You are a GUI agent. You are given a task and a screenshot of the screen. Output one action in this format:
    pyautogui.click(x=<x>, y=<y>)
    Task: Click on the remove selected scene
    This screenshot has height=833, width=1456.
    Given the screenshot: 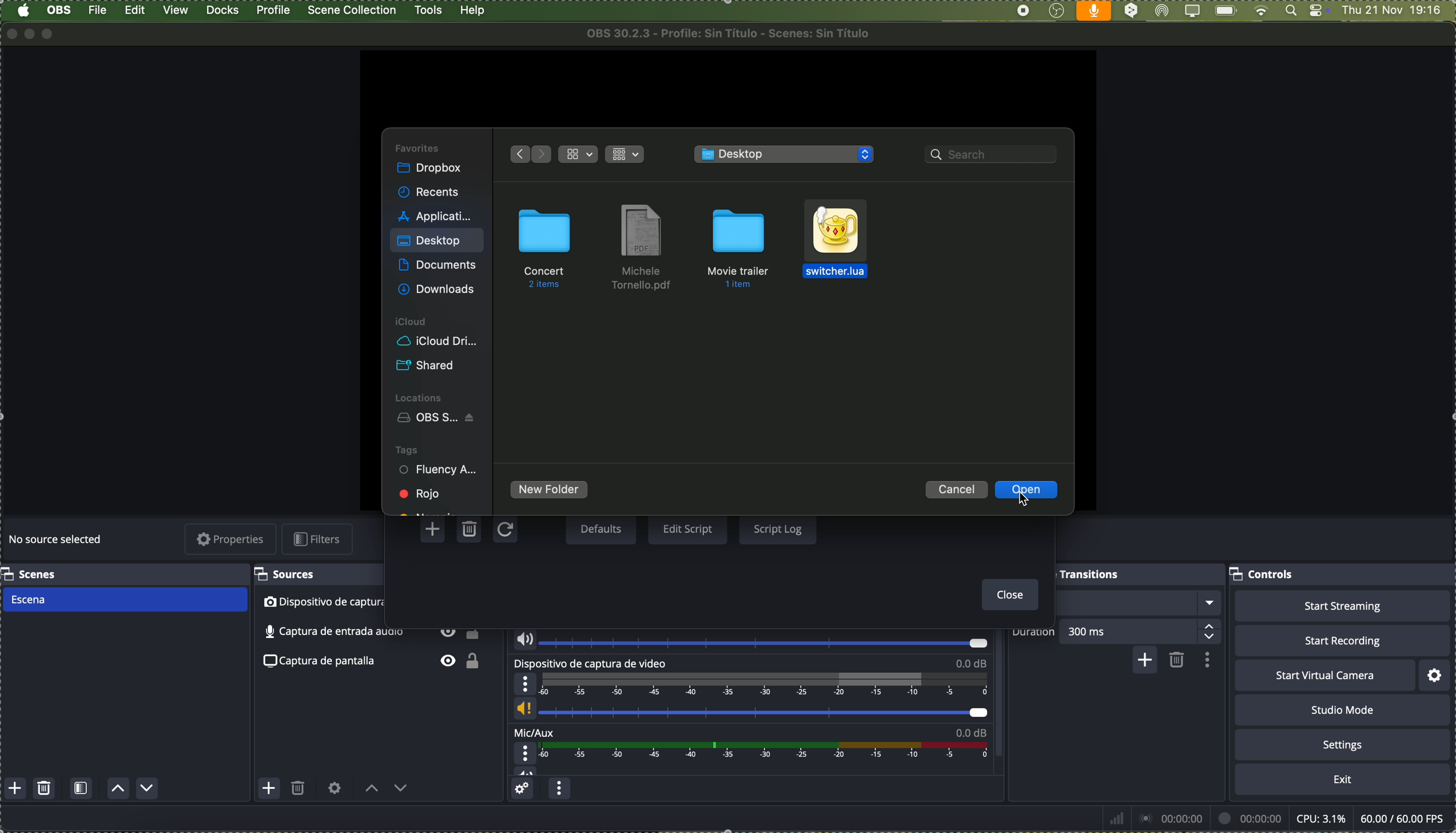 What is the action you would take?
    pyautogui.click(x=45, y=789)
    